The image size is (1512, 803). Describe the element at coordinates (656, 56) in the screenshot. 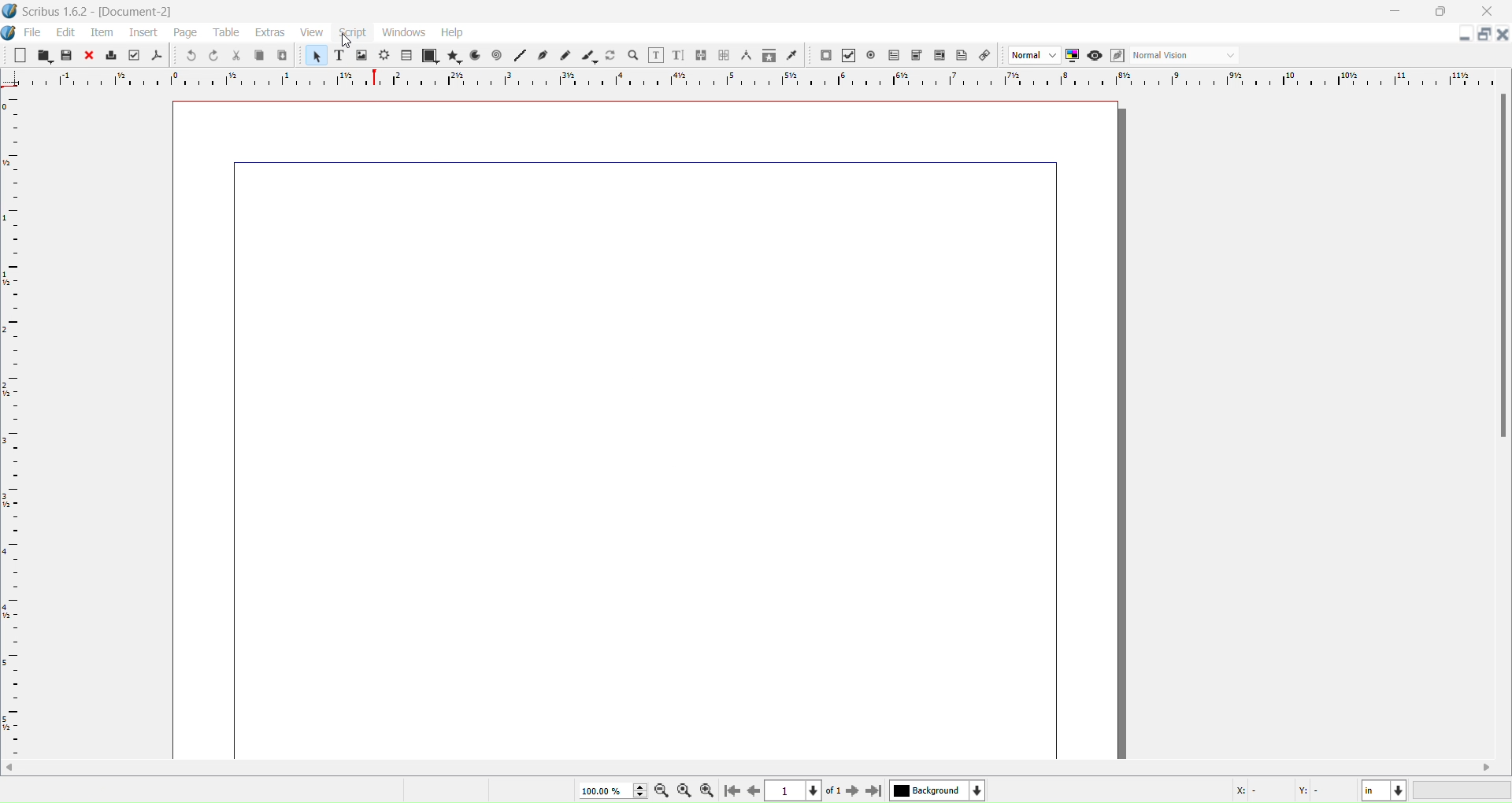

I see `Edit Contents of Frame` at that location.